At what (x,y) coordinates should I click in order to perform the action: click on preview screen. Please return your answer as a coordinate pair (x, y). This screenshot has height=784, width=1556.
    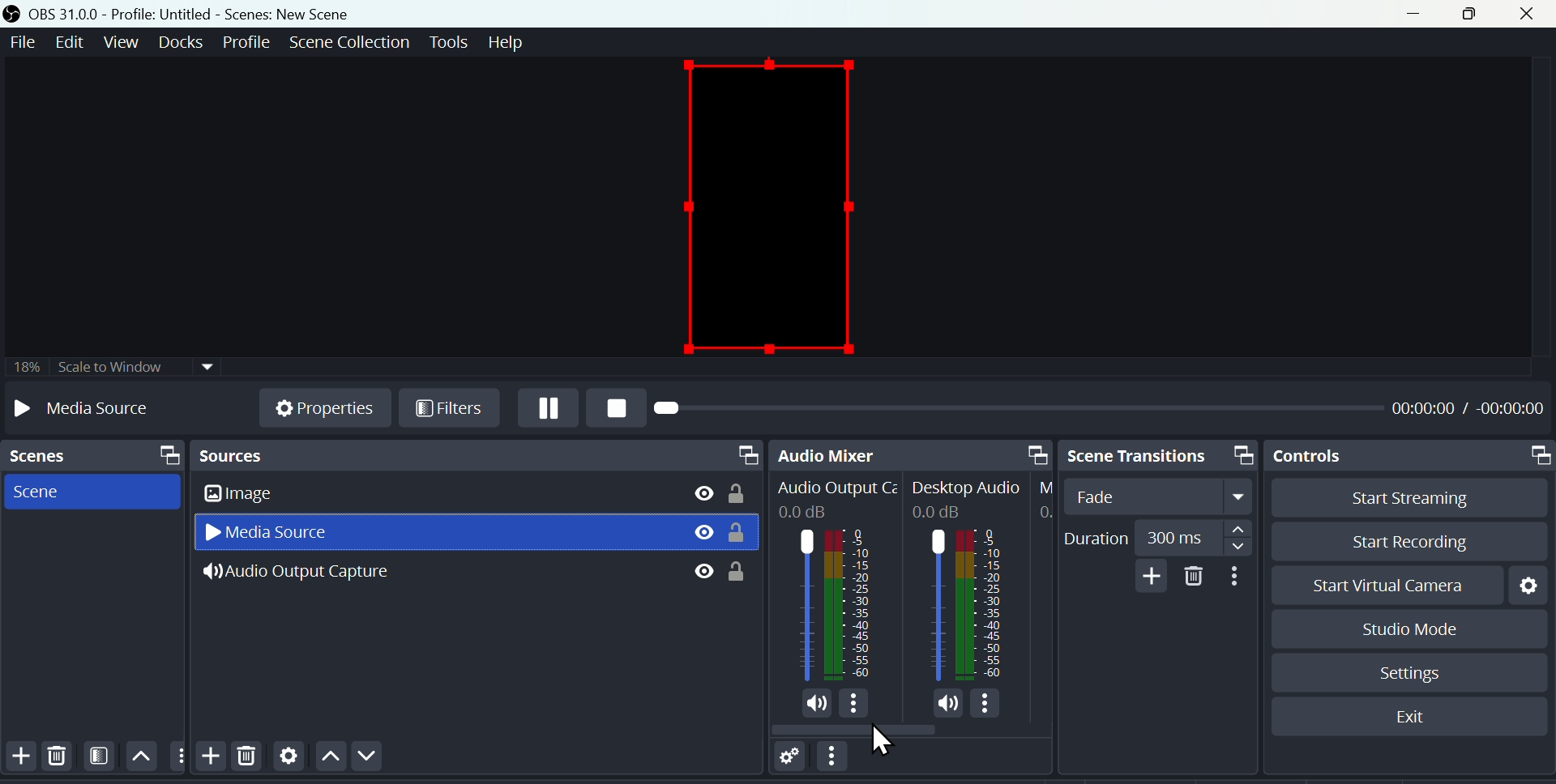
    Looking at the image, I should click on (771, 201).